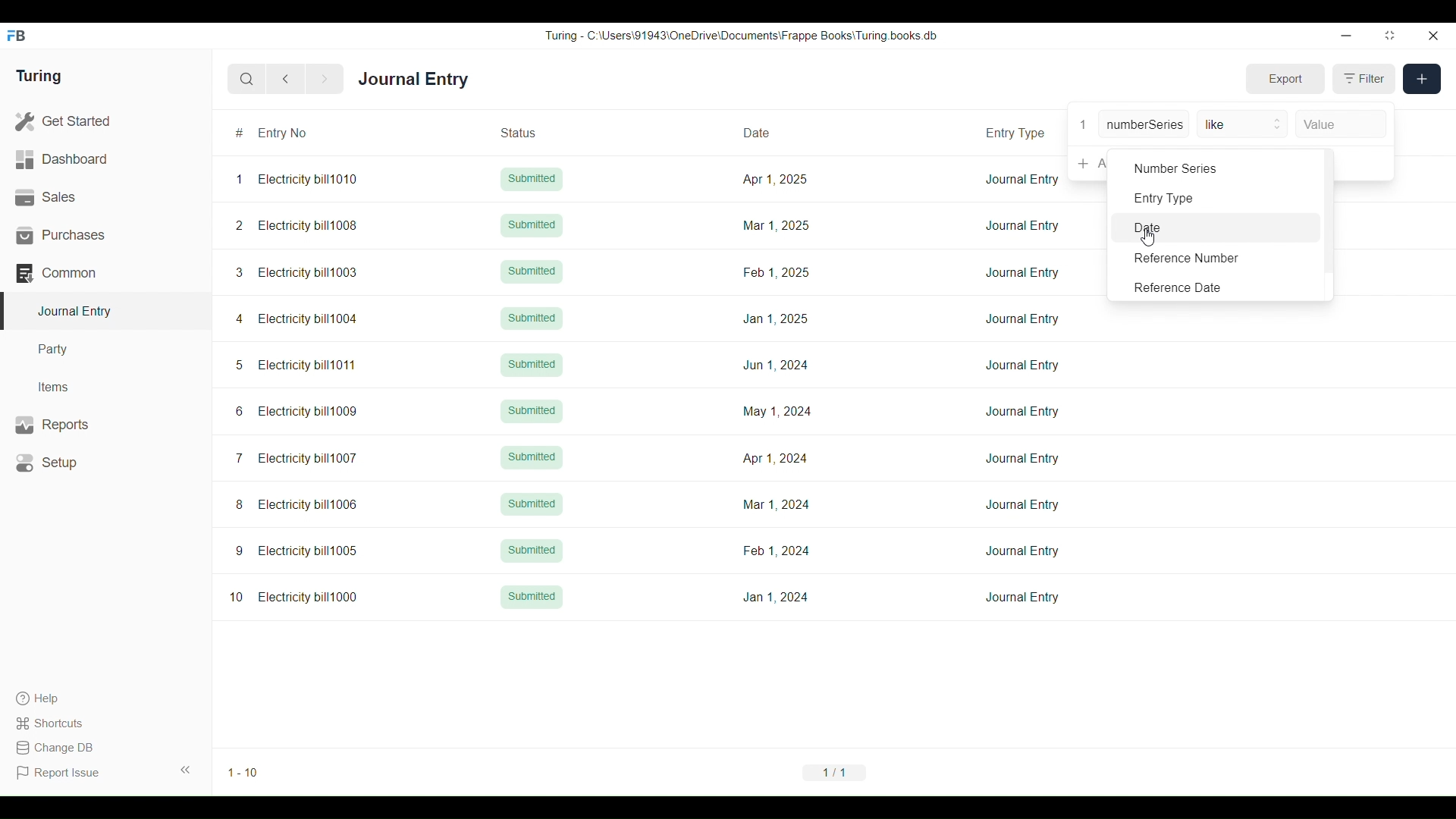 This screenshot has height=819, width=1456. I want to click on Jan 1, 2025, so click(776, 318).